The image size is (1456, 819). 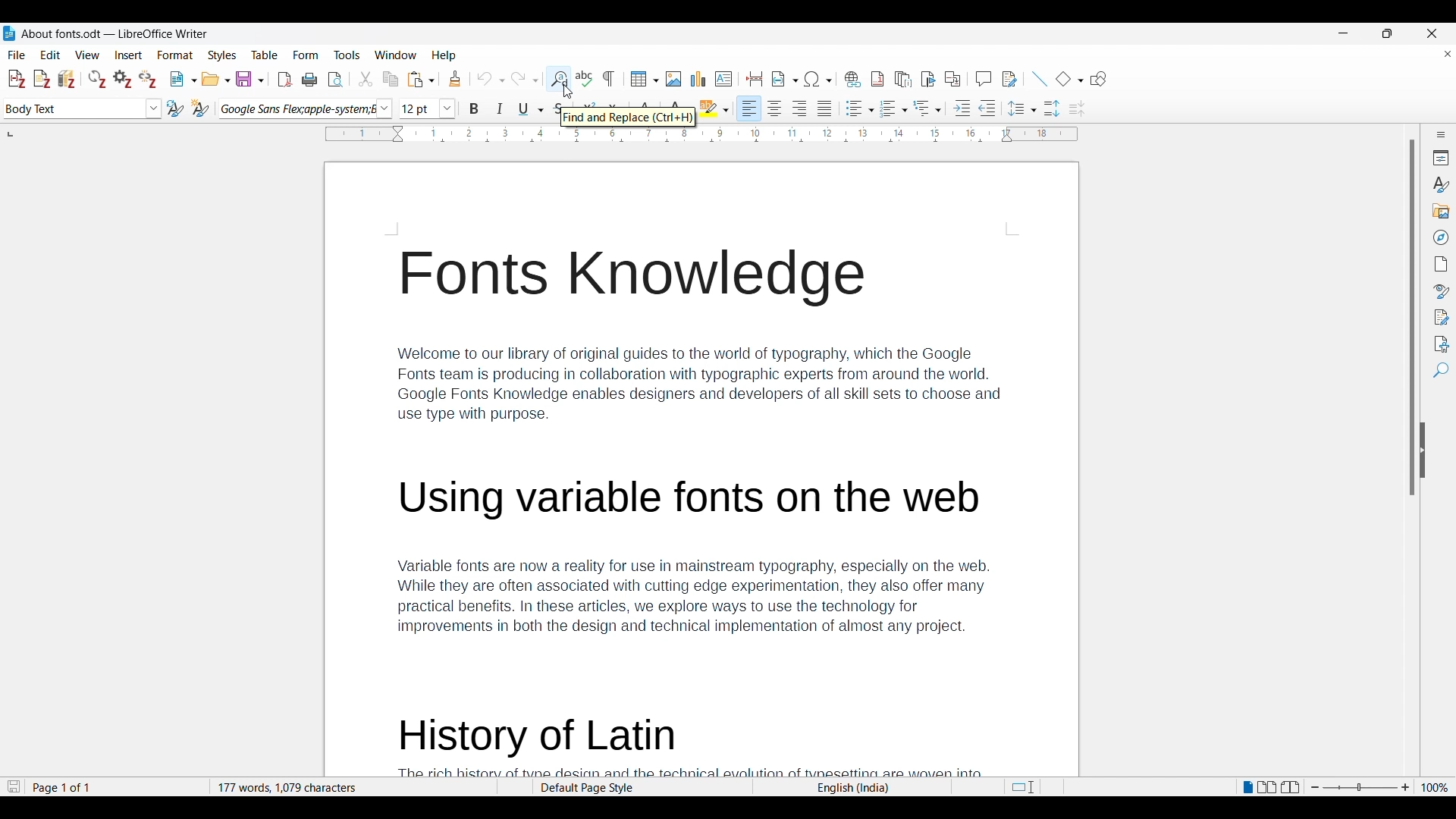 I want to click on Book view, so click(x=1290, y=787).